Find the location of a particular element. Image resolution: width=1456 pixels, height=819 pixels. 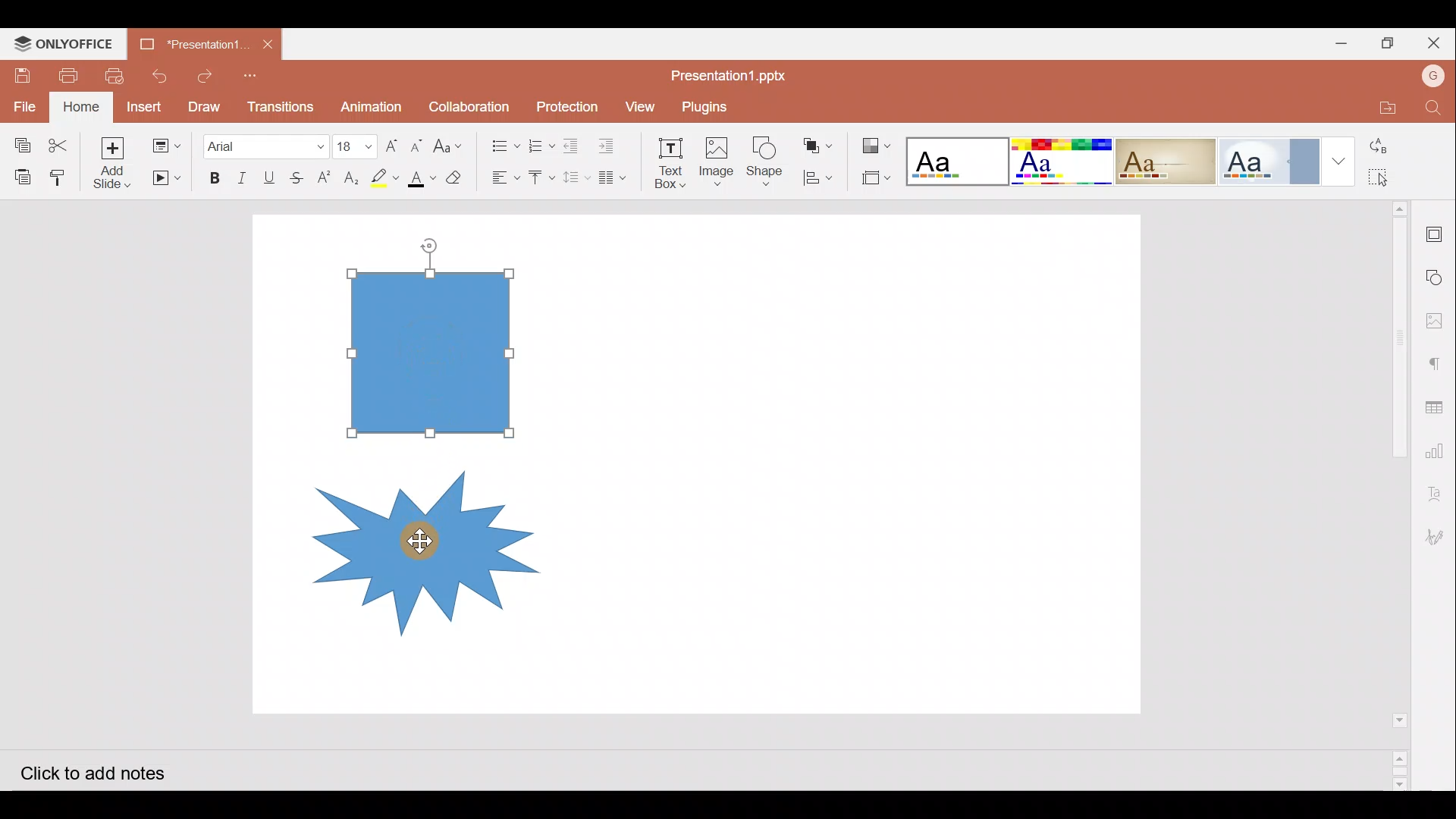

Increase font size is located at coordinates (390, 141).